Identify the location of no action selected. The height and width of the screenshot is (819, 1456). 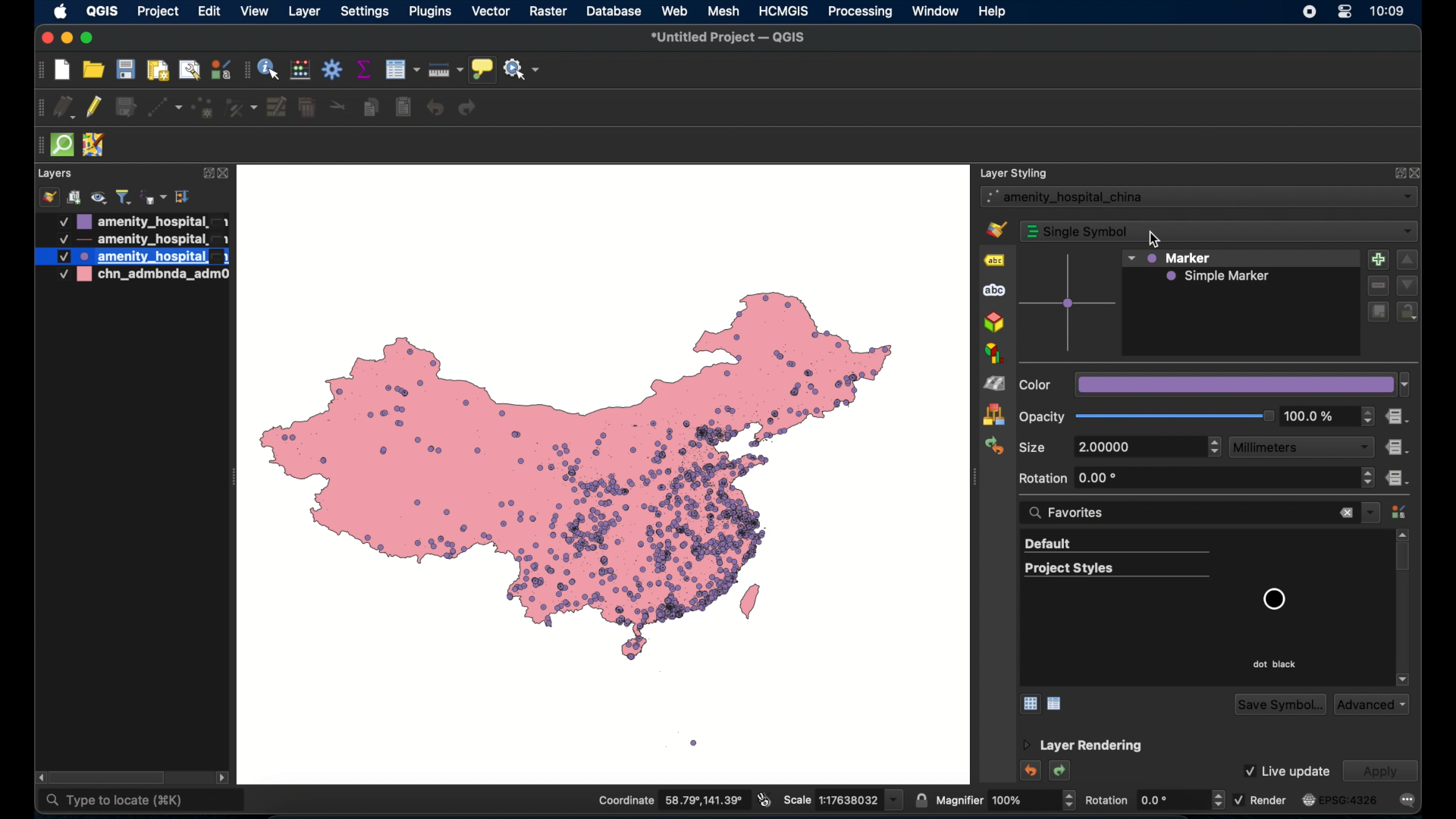
(523, 70).